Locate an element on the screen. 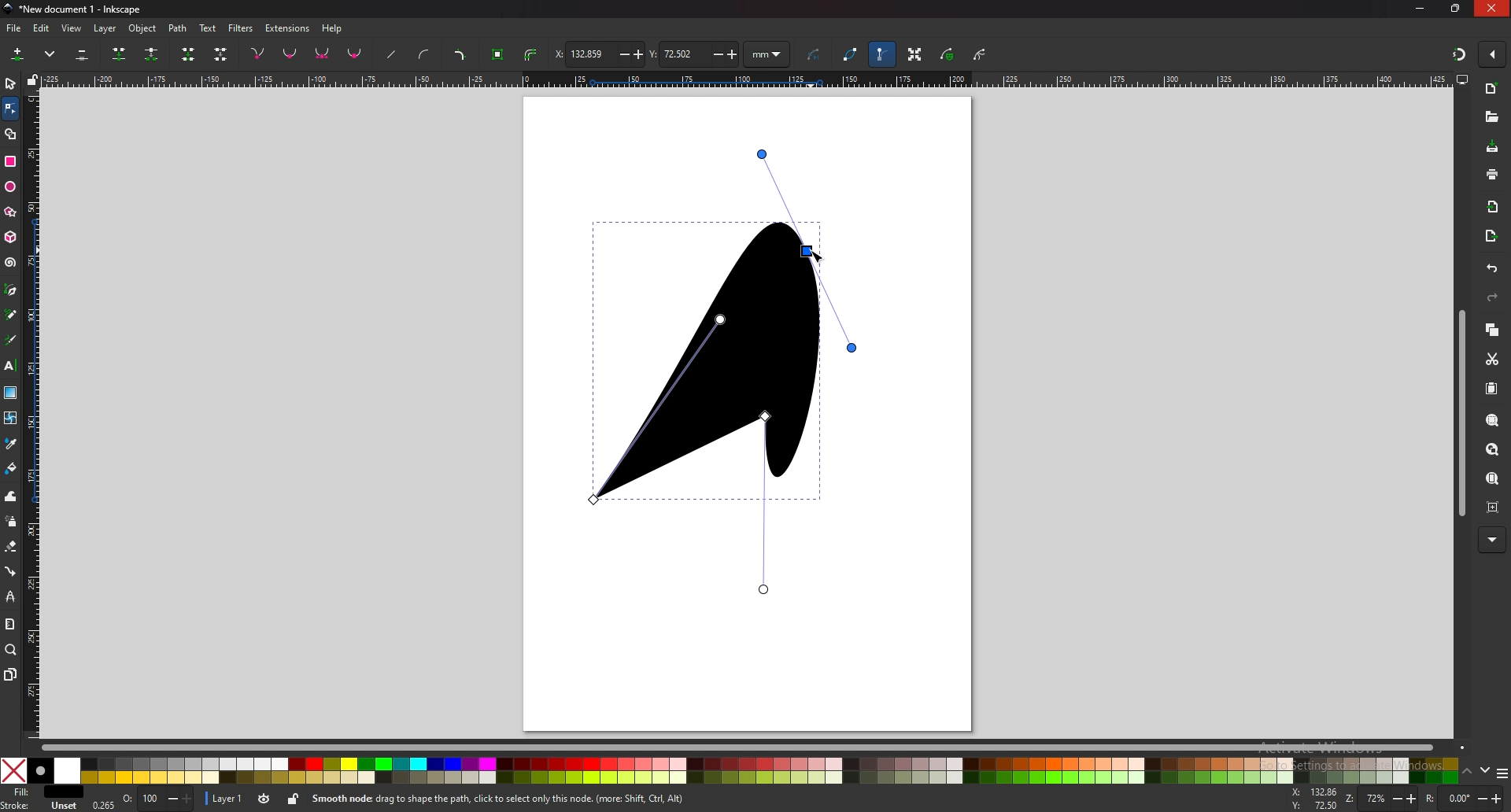  close is located at coordinates (1491, 8).